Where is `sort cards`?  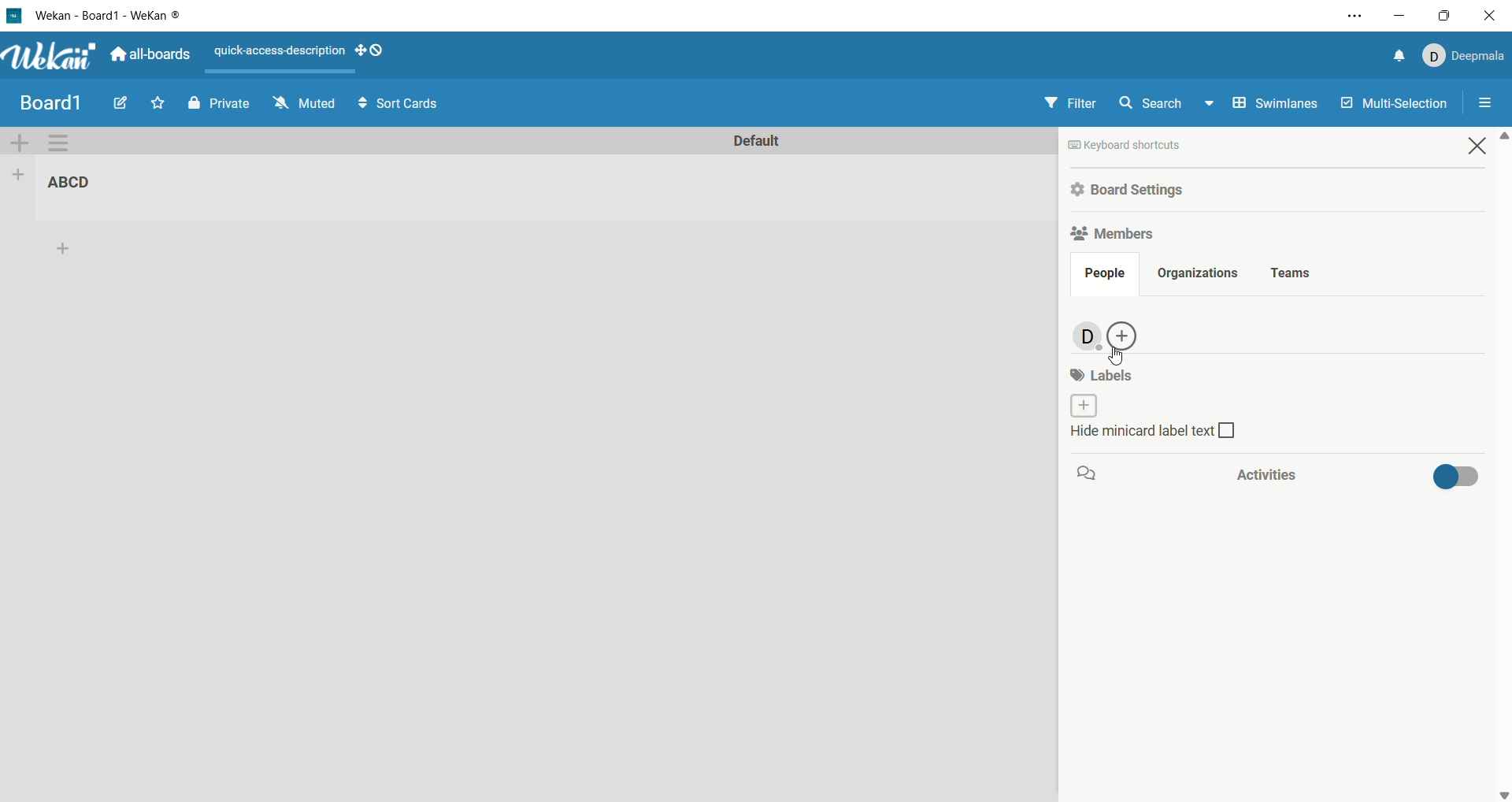
sort cards is located at coordinates (399, 102).